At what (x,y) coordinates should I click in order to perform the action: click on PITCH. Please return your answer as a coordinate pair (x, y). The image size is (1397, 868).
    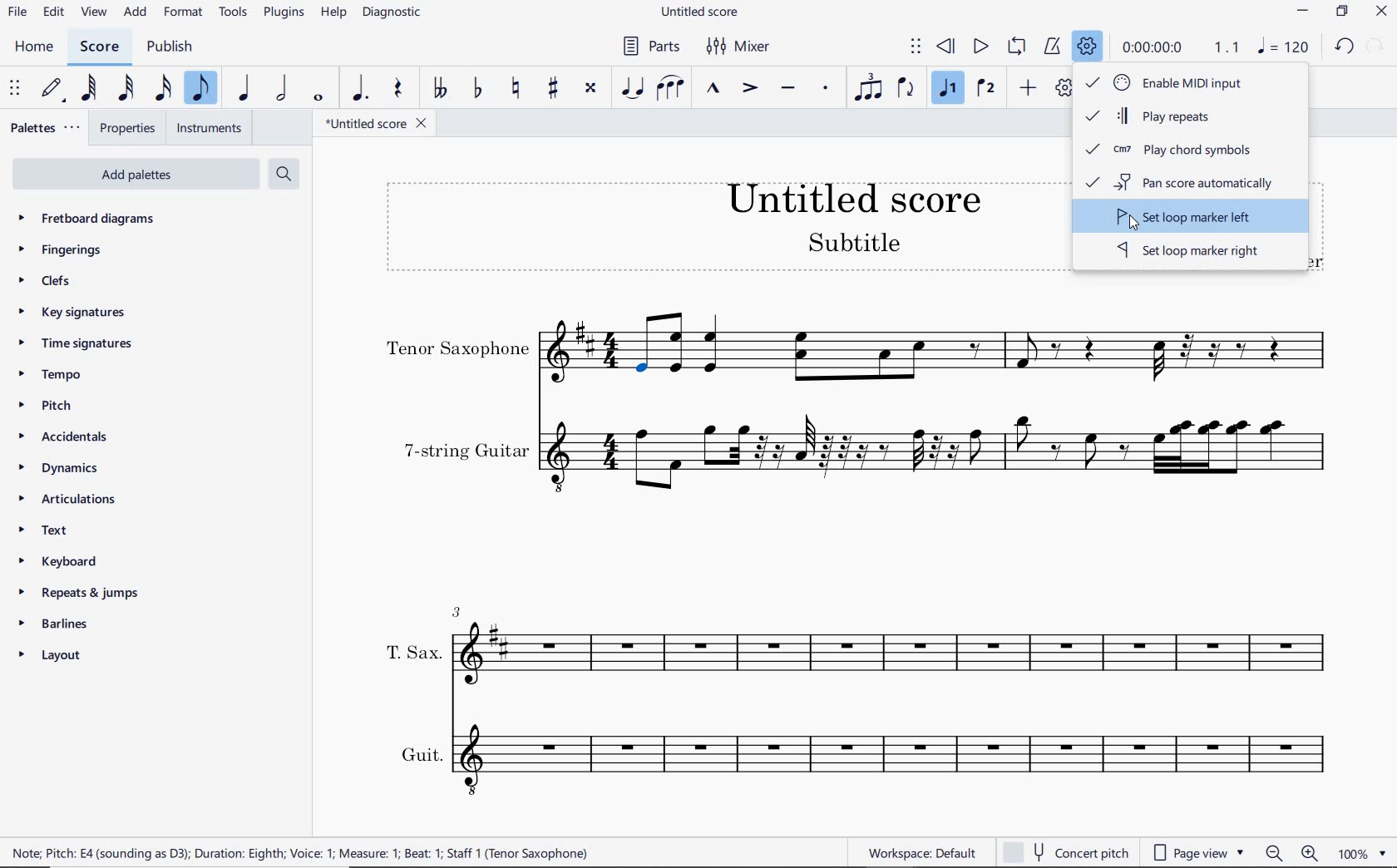
    Looking at the image, I should click on (43, 406).